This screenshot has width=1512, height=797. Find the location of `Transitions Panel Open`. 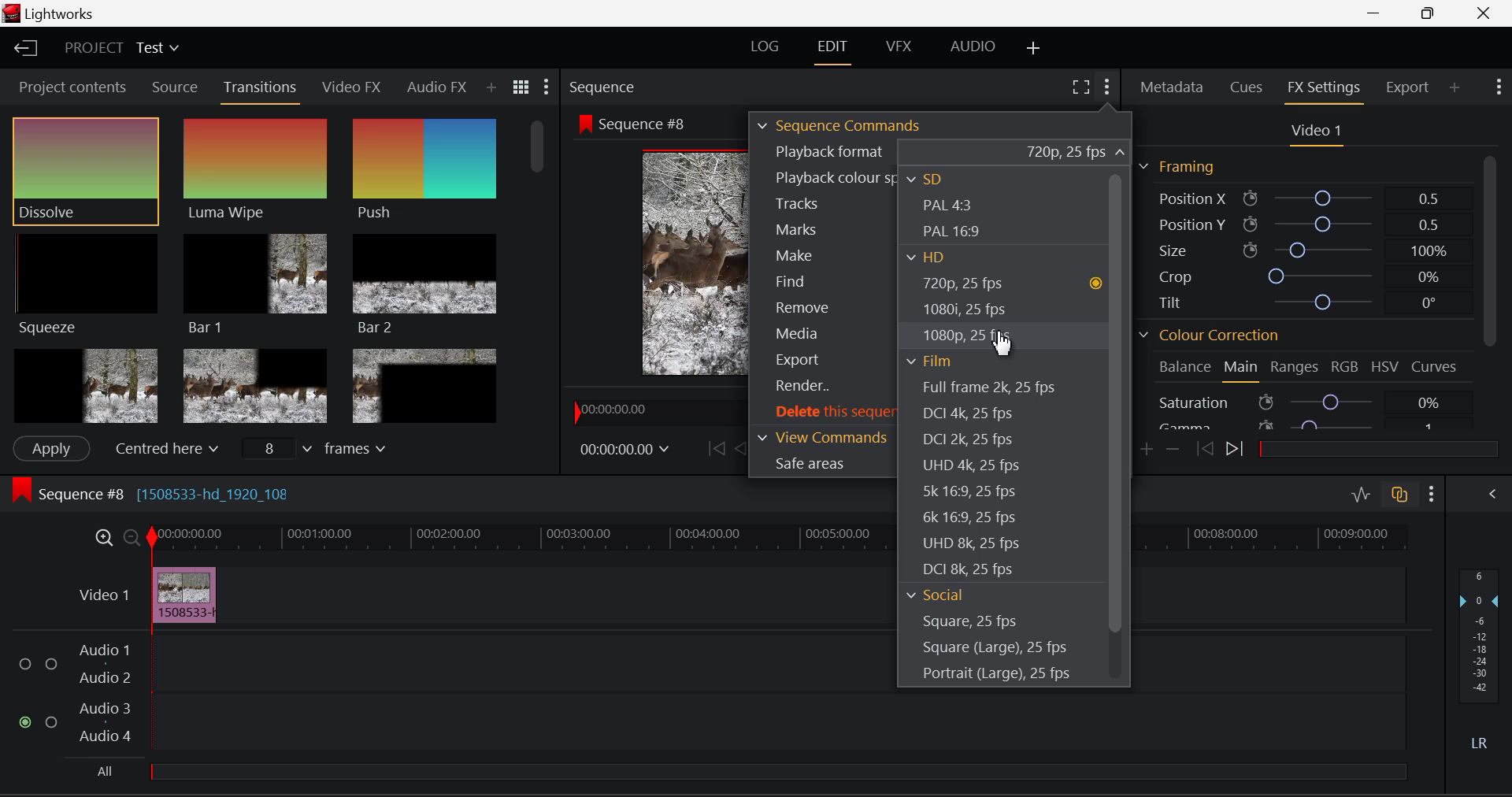

Transitions Panel Open is located at coordinates (263, 88).